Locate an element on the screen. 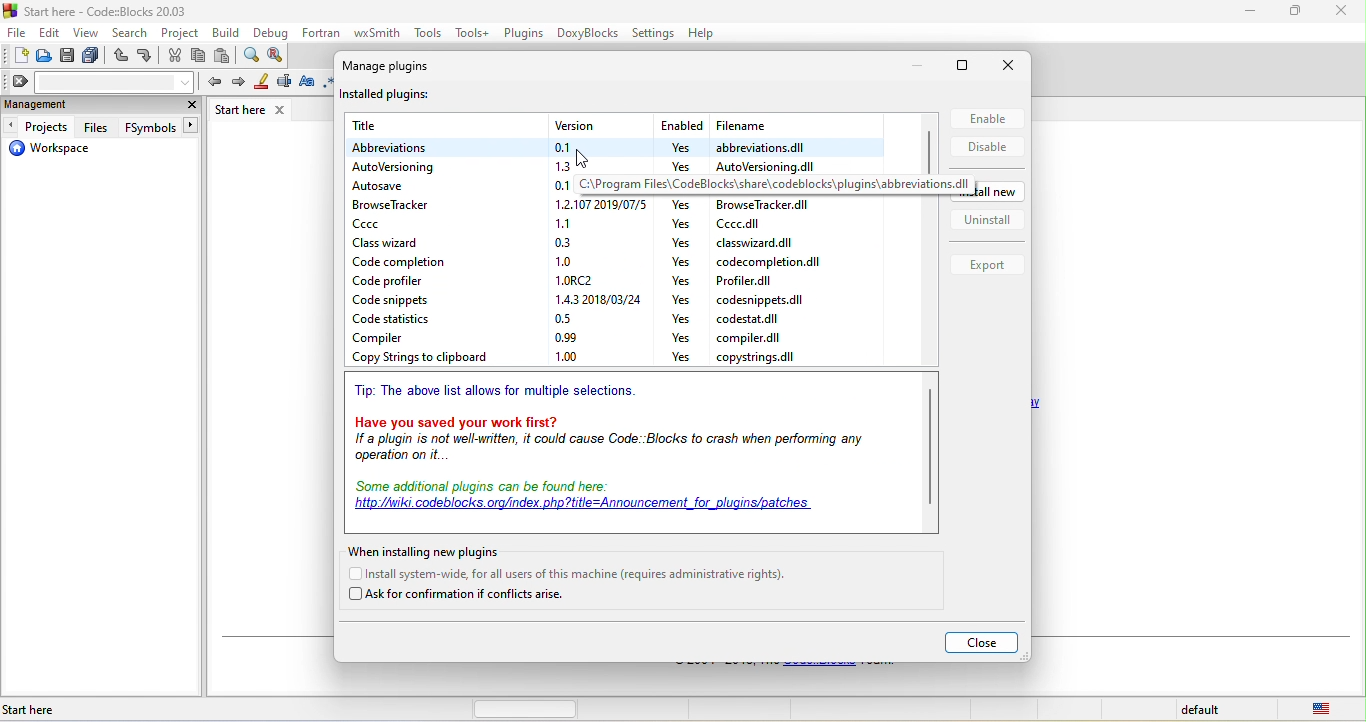  tools is located at coordinates (428, 34).